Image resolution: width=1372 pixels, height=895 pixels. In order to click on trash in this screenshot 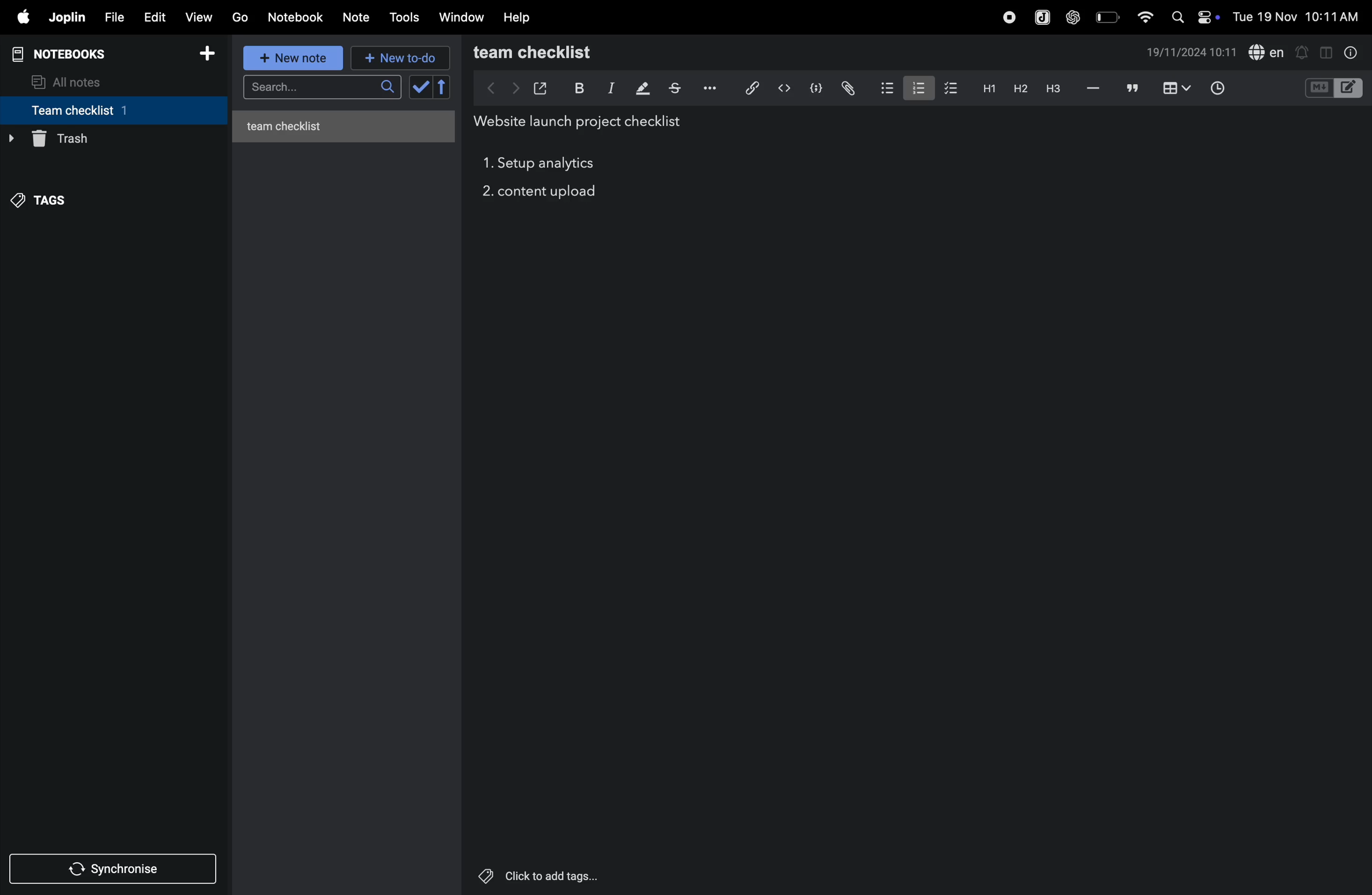, I will do `click(109, 139)`.